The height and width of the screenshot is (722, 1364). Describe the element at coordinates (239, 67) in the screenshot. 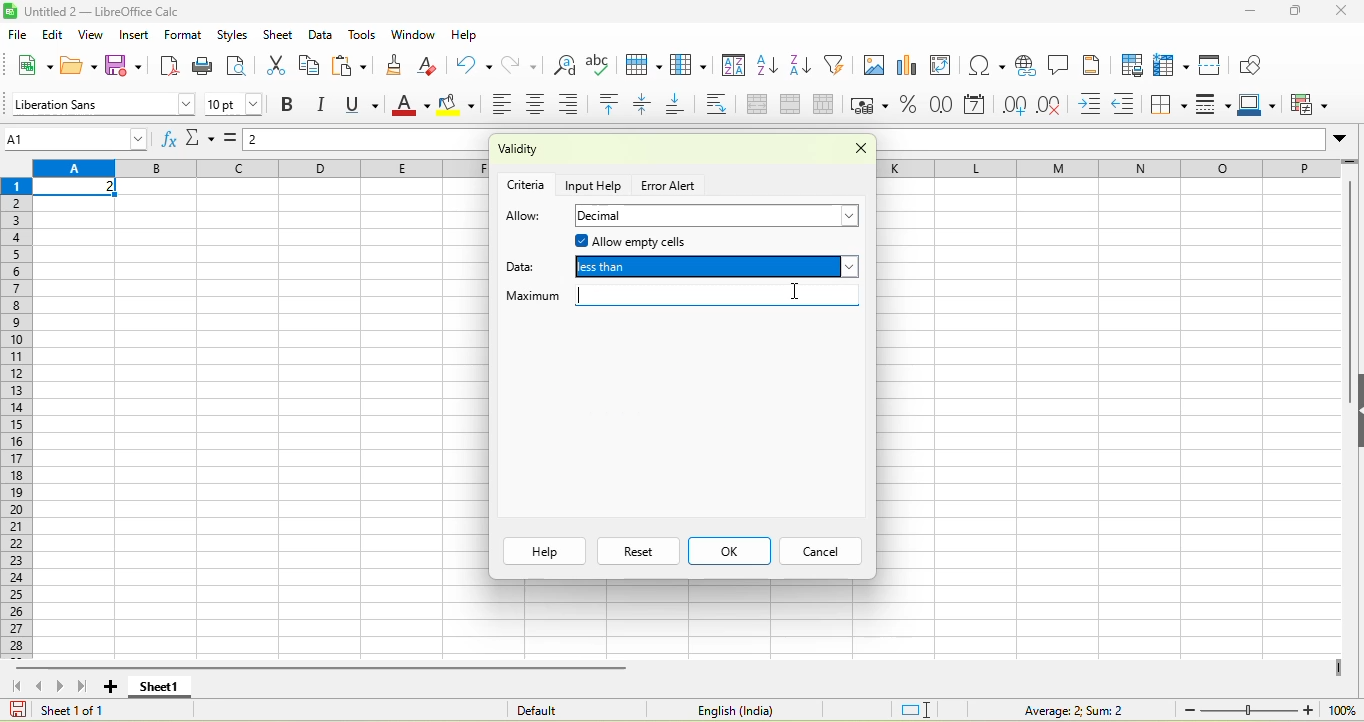

I see `print preview` at that location.